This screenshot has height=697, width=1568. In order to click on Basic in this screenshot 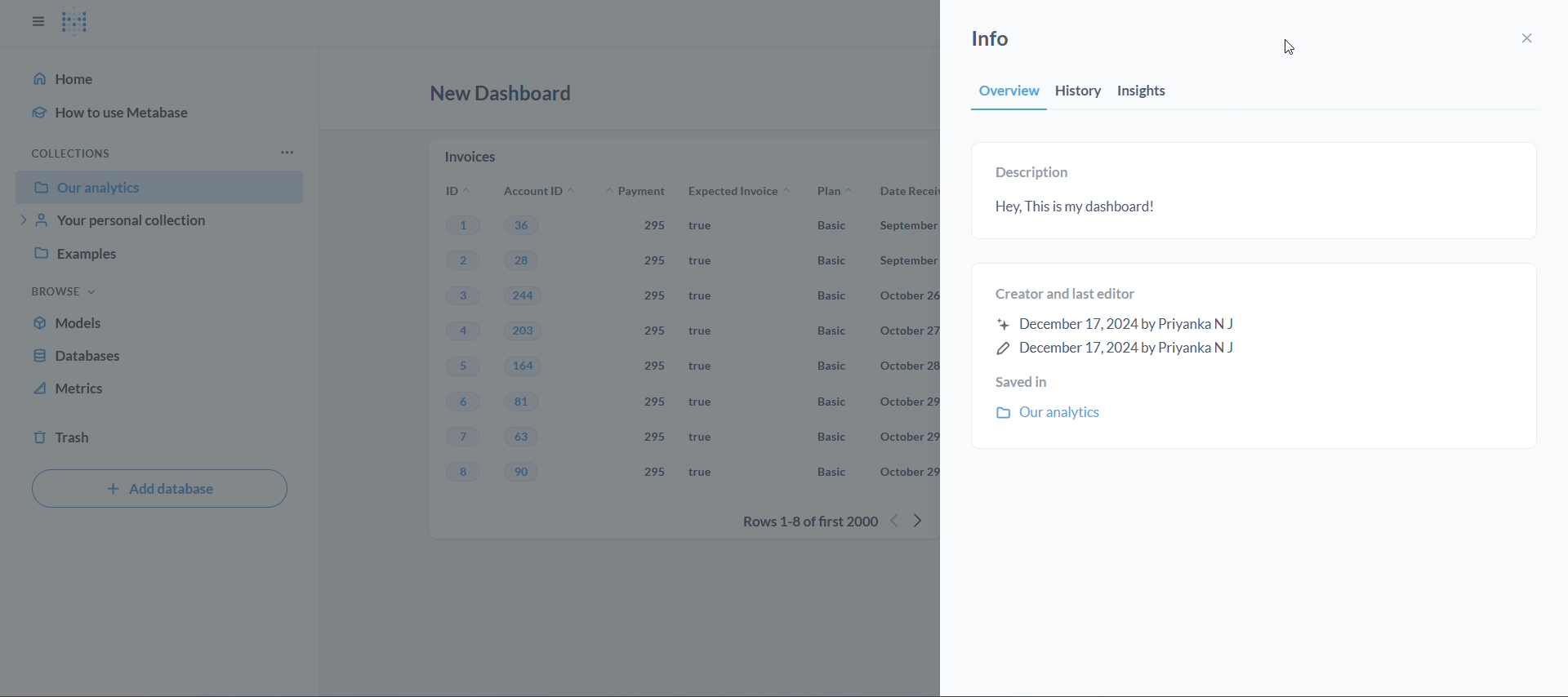, I will do `click(836, 366)`.